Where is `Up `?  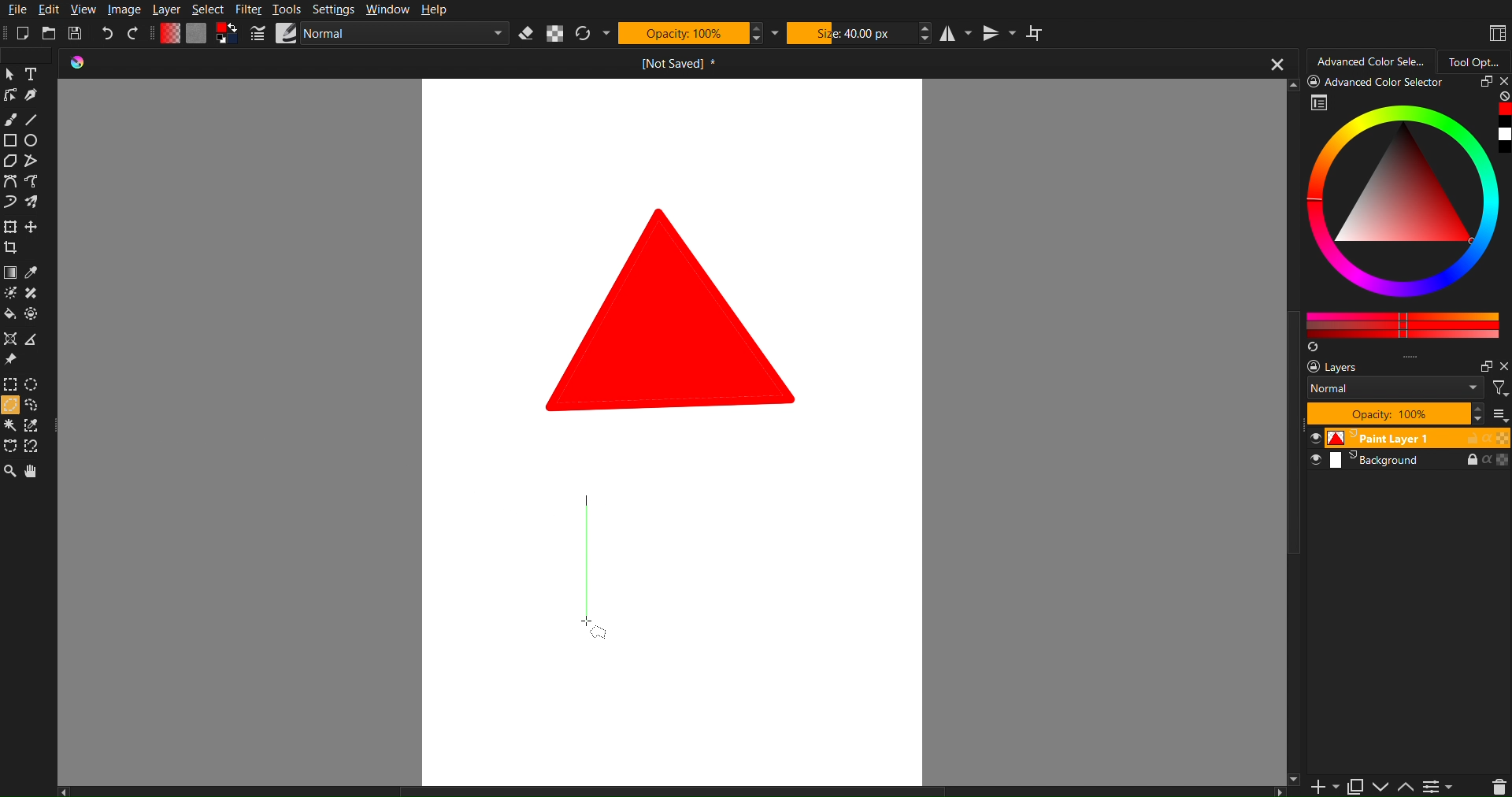
Up  is located at coordinates (1406, 788).